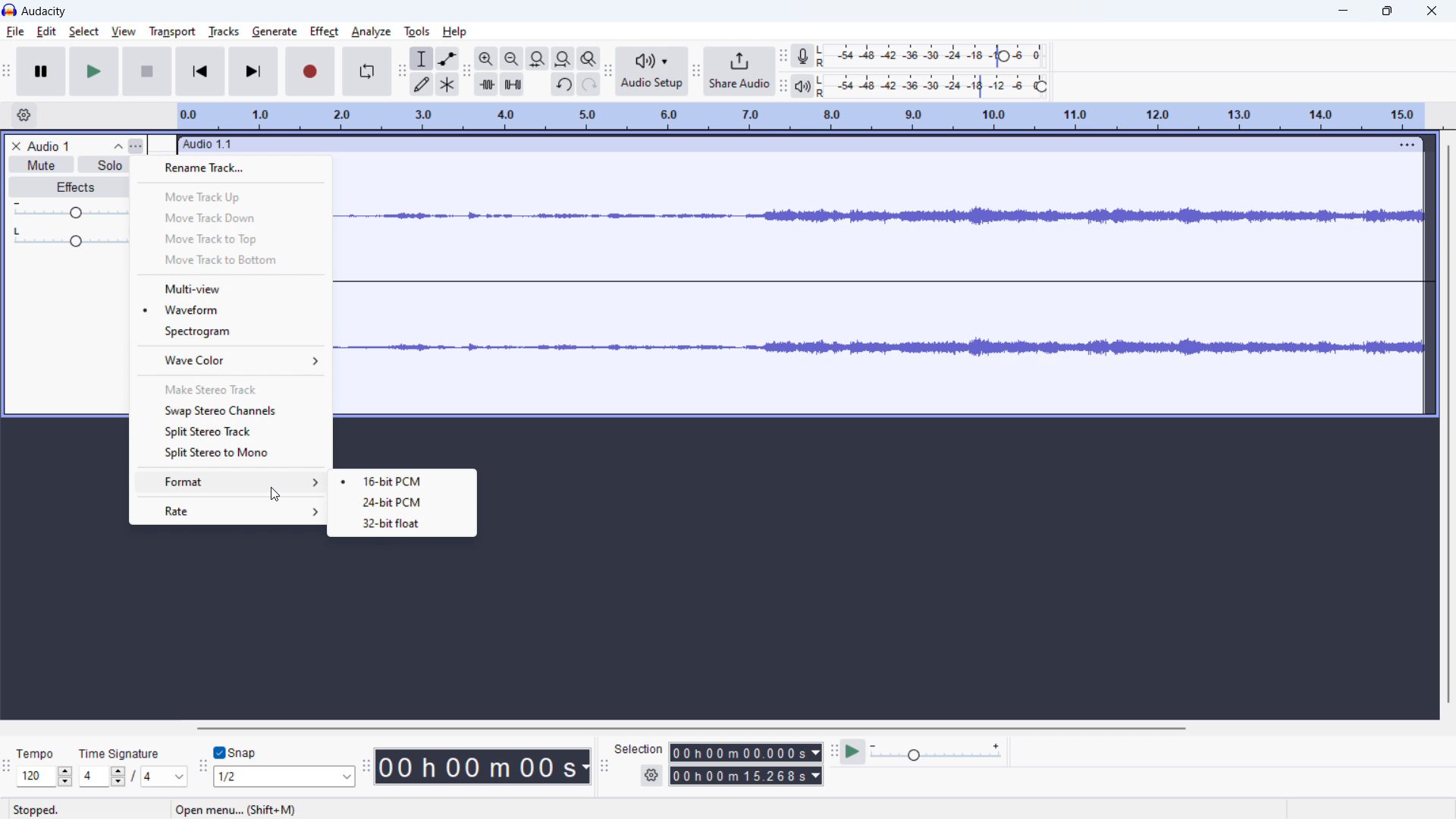 Image resolution: width=1456 pixels, height=819 pixels. Describe the element at coordinates (538, 58) in the screenshot. I see `fit selection to width` at that location.